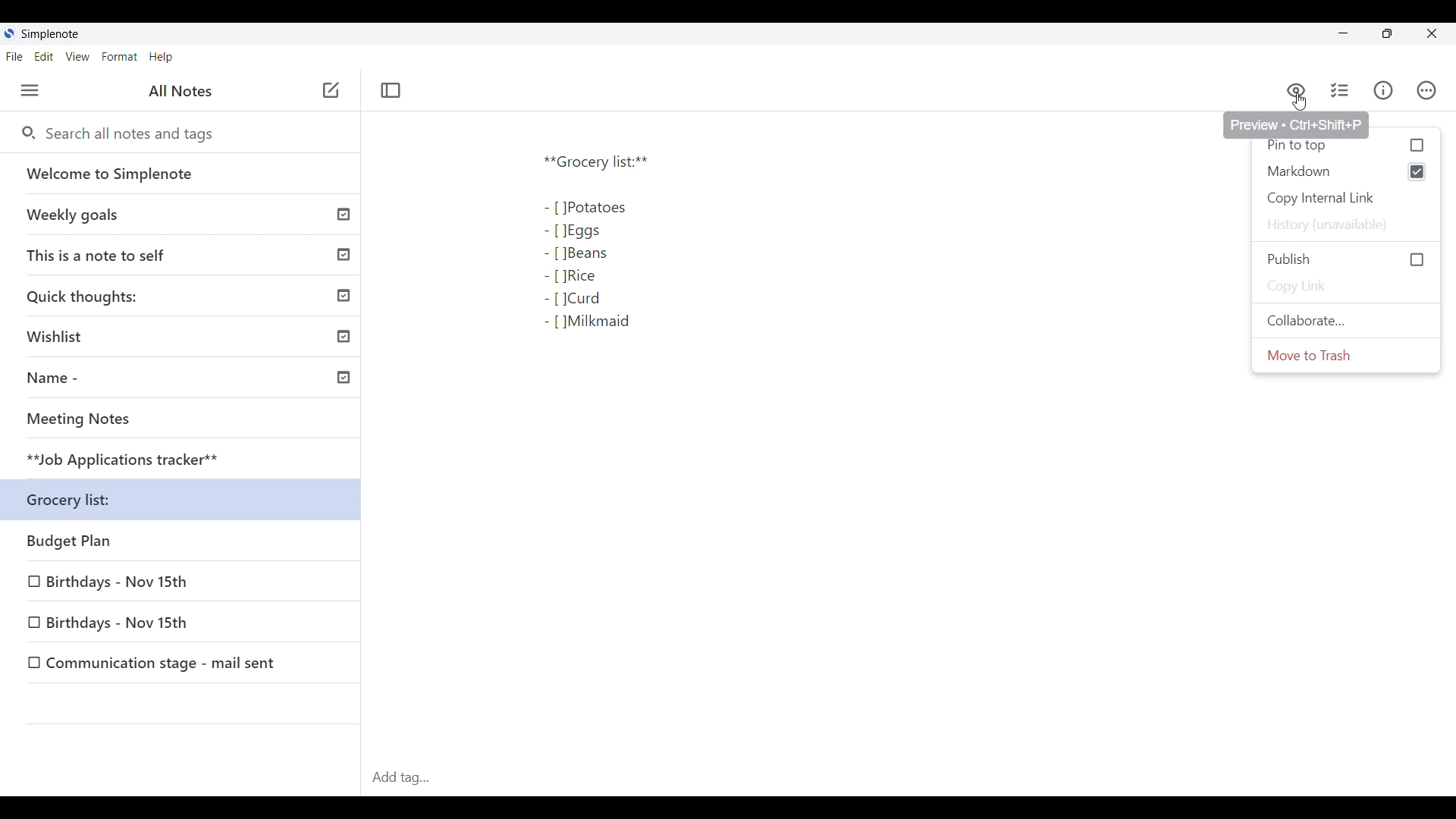  What do you see at coordinates (1341, 90) in the screenshot?
I see `Insert checklist` at bounding box center [1341, 90].